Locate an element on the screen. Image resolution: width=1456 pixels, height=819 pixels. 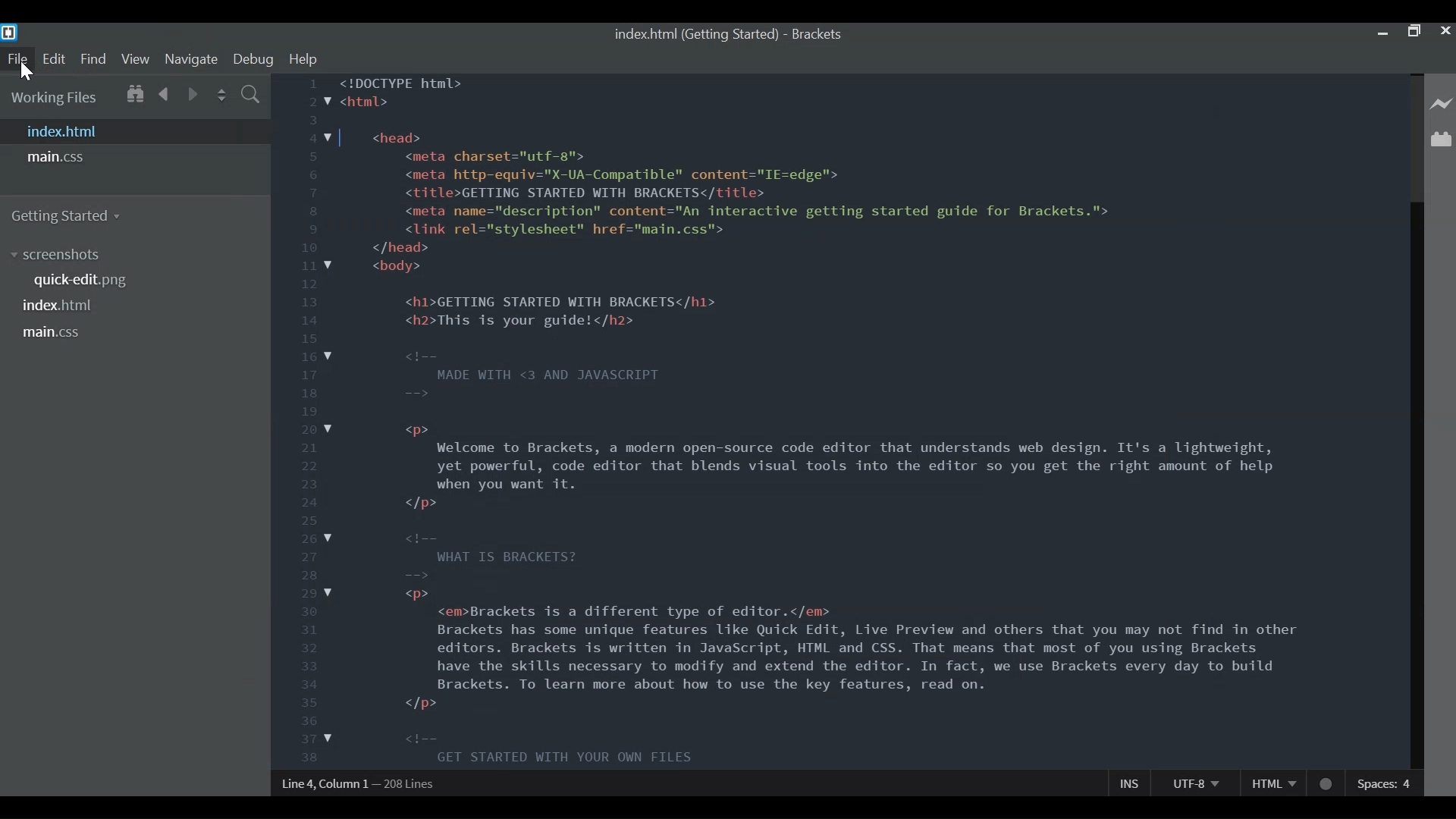
Debug is located at coordinates (253, 59).